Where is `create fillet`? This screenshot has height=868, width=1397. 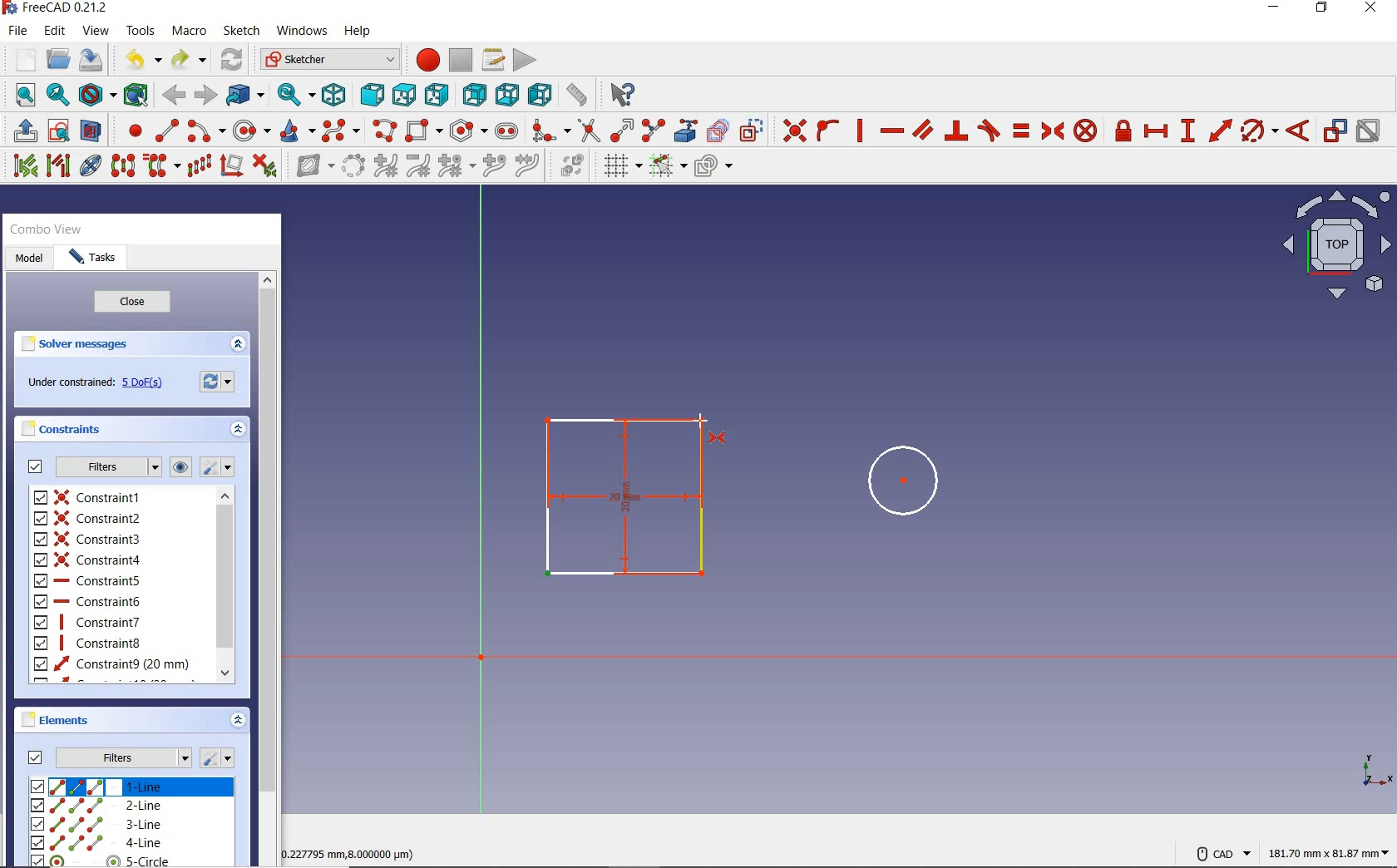
create fillet is located at coordinates (550, 131).